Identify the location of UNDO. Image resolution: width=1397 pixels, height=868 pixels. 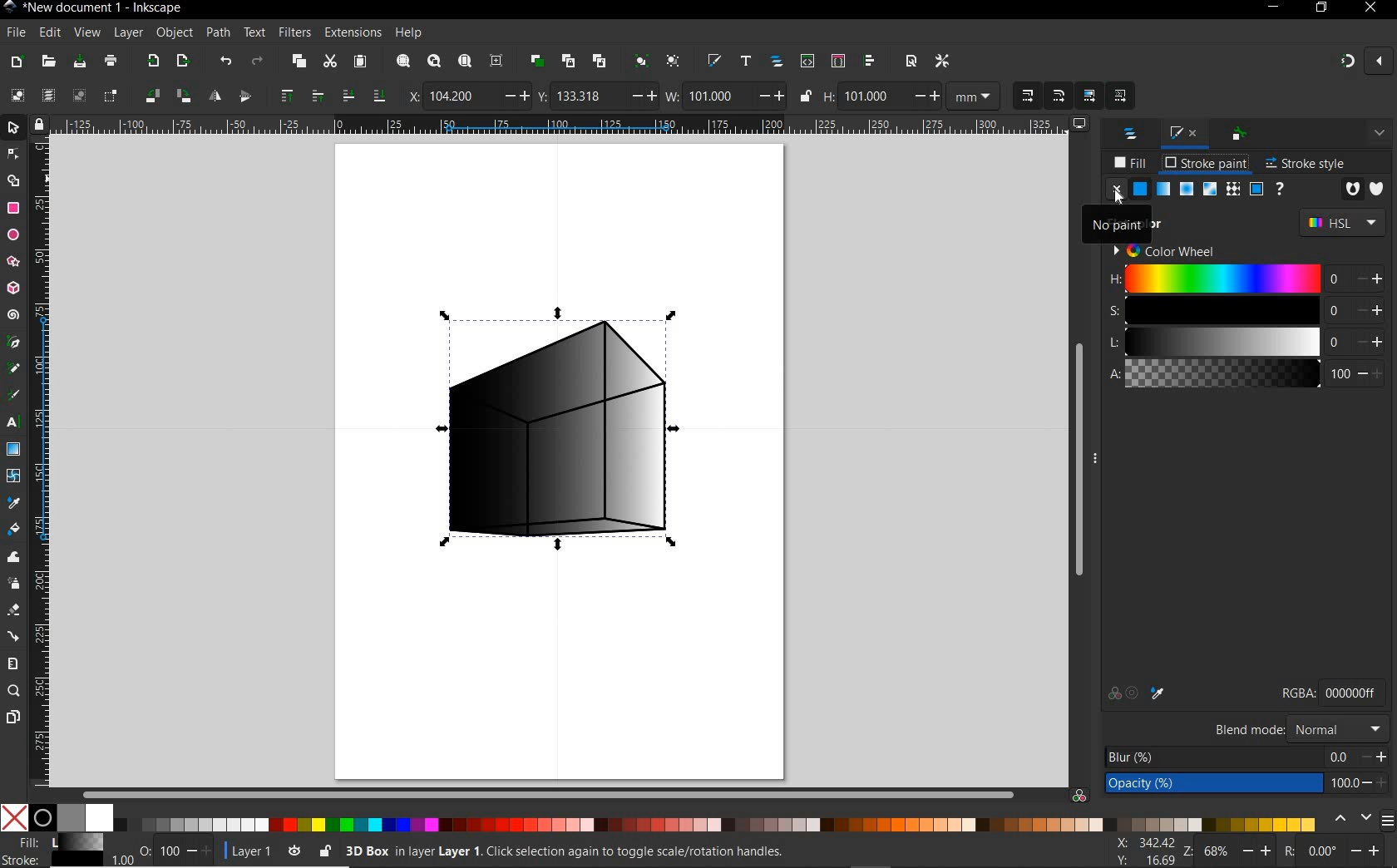
(224, 61).